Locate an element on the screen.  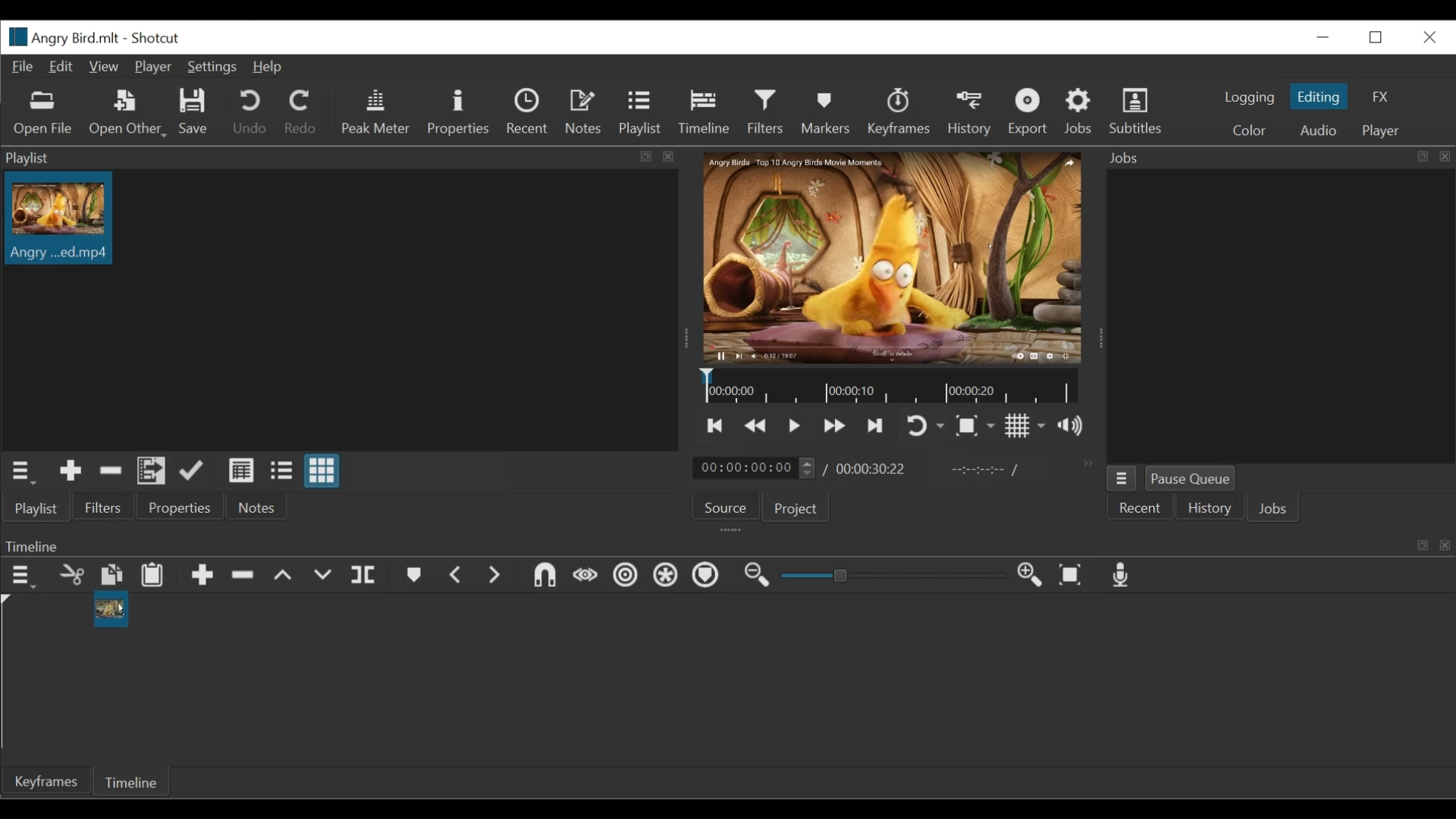
Show volume control is located at coordinates (1070, 425).